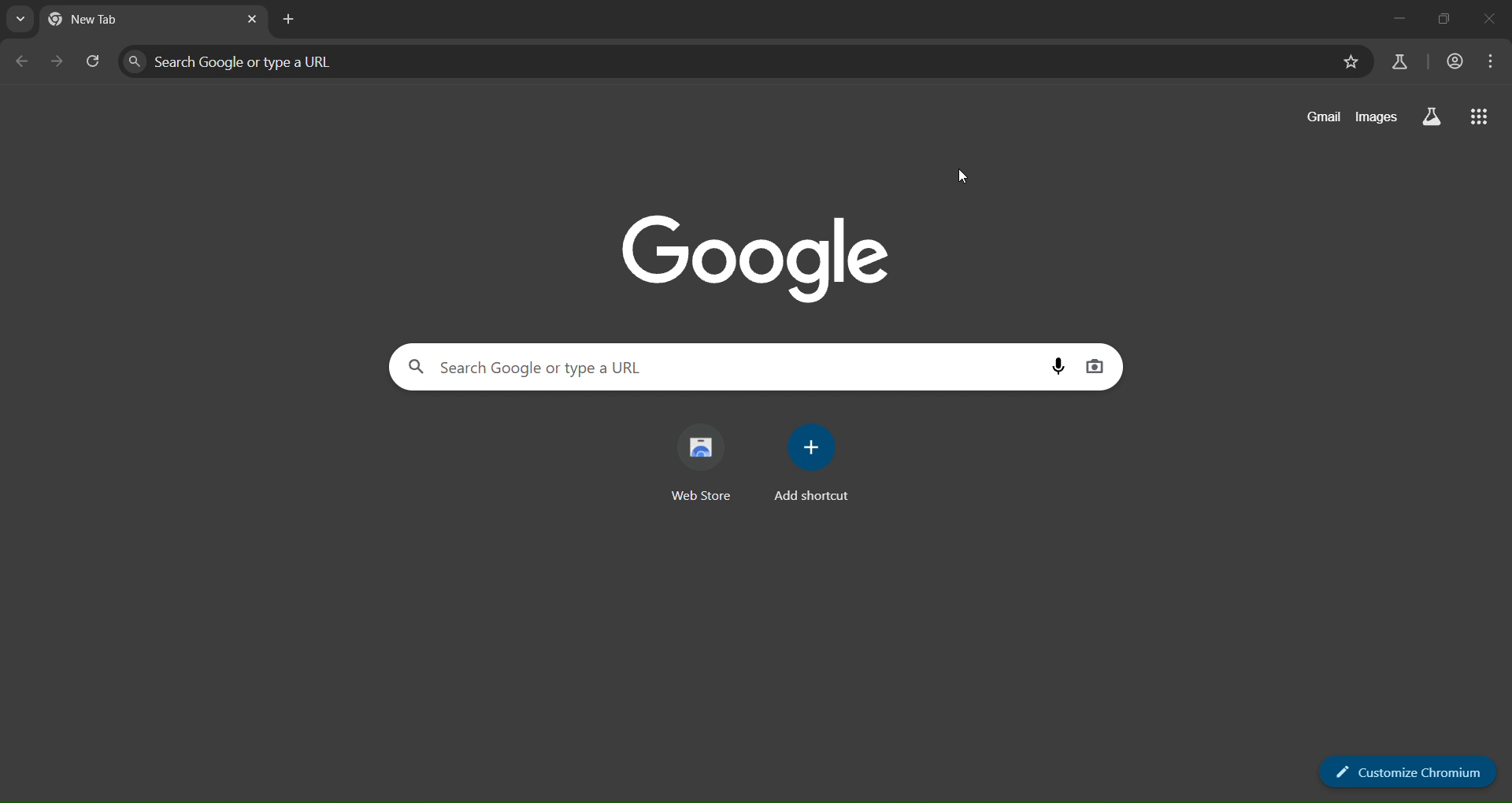  I want to click on images, so click(1375, 118).